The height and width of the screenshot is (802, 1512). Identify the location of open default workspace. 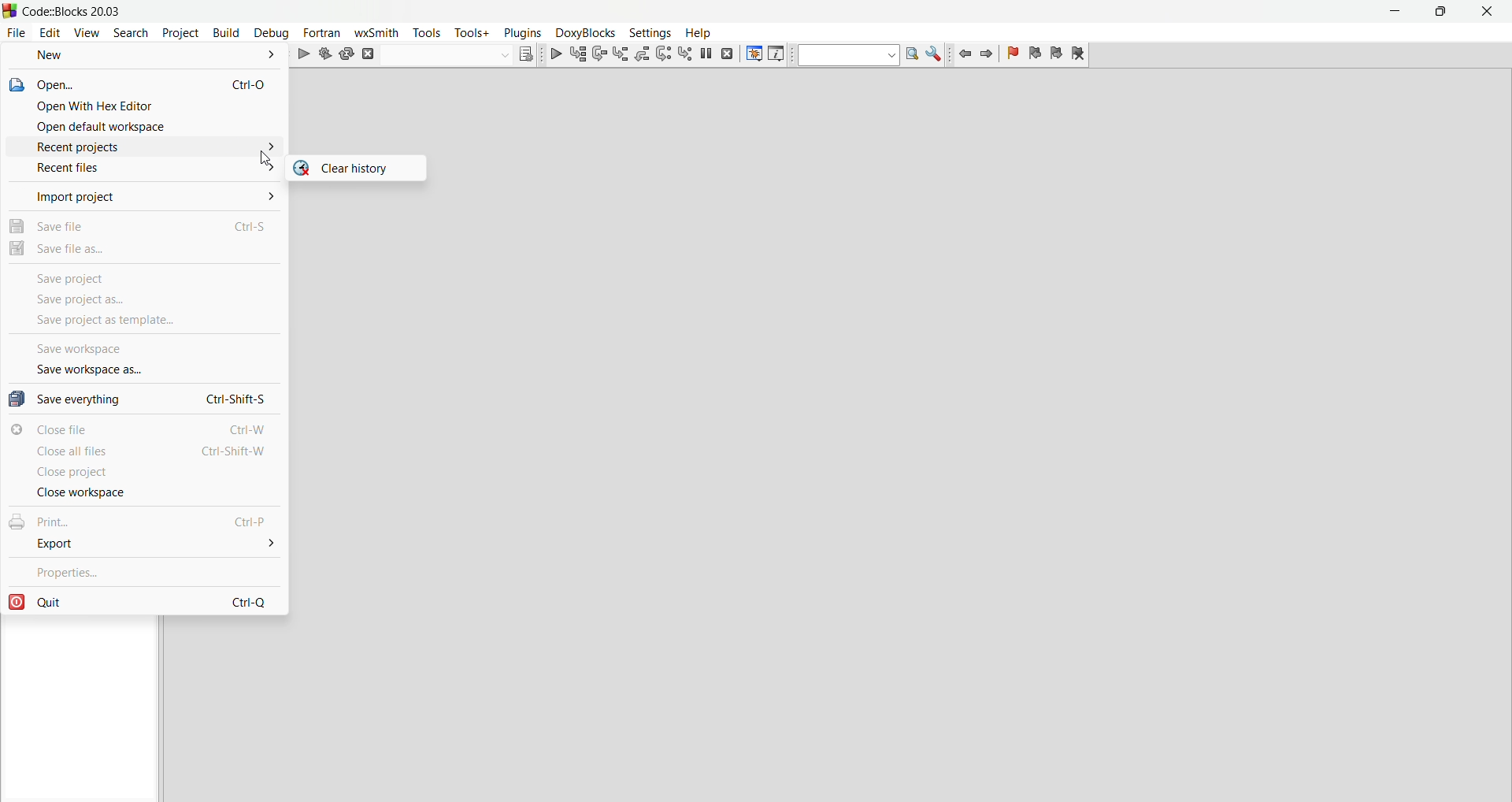
(145, 127).